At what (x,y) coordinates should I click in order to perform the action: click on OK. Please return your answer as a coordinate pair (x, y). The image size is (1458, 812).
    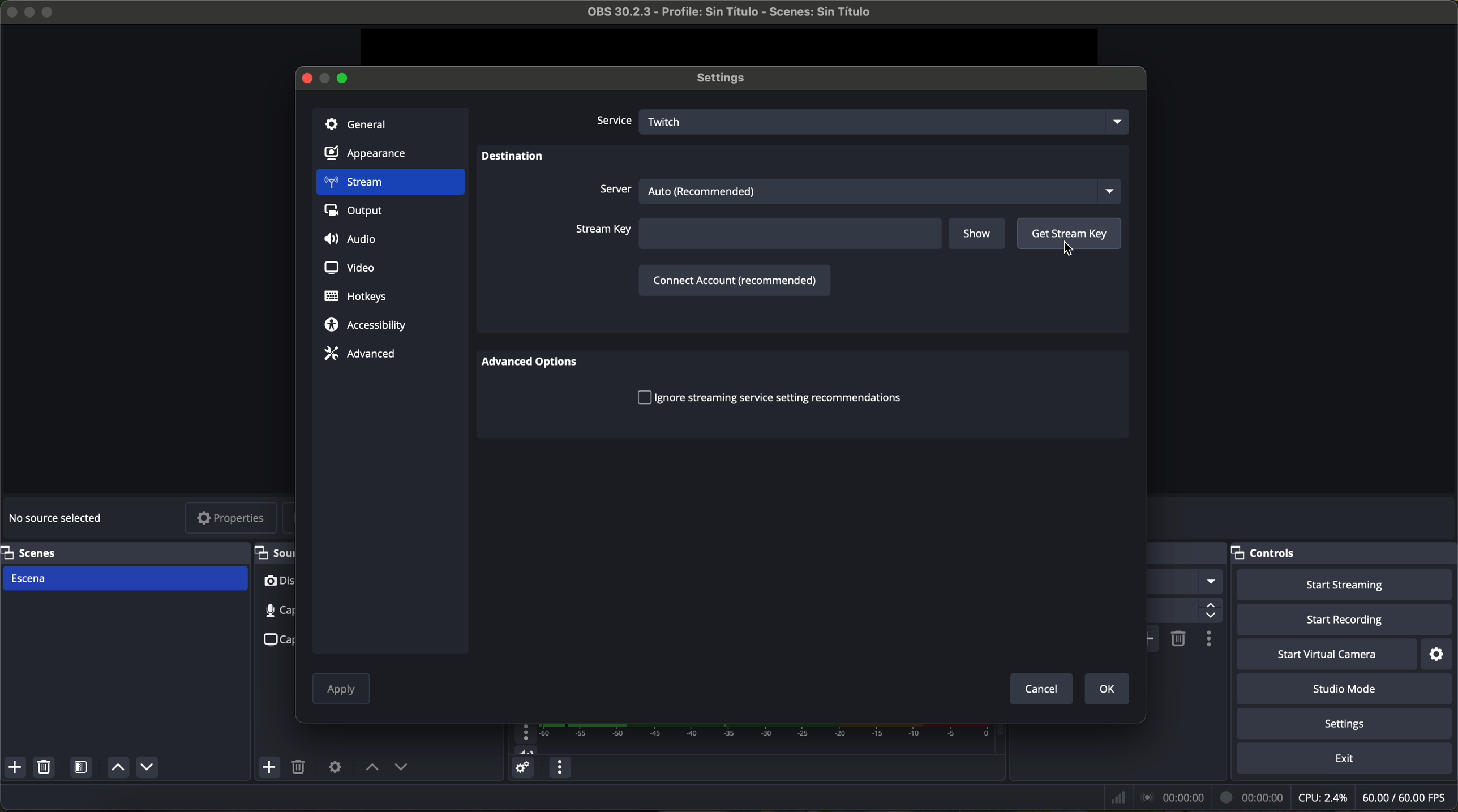
    Looking at the image, I should click on (1104, 688).